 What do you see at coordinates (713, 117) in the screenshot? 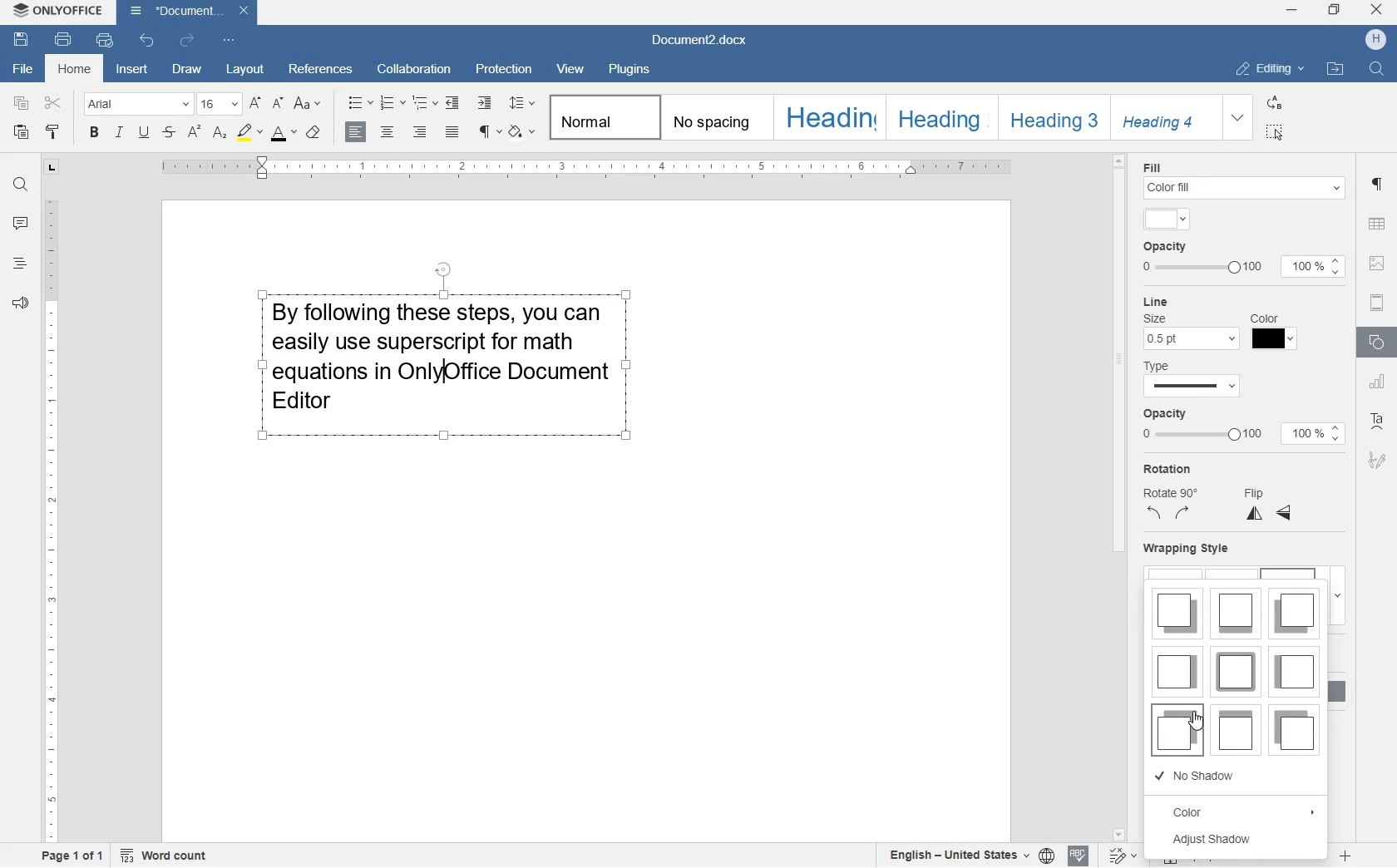
I see `No spacing` at bounding box center [713, 117].